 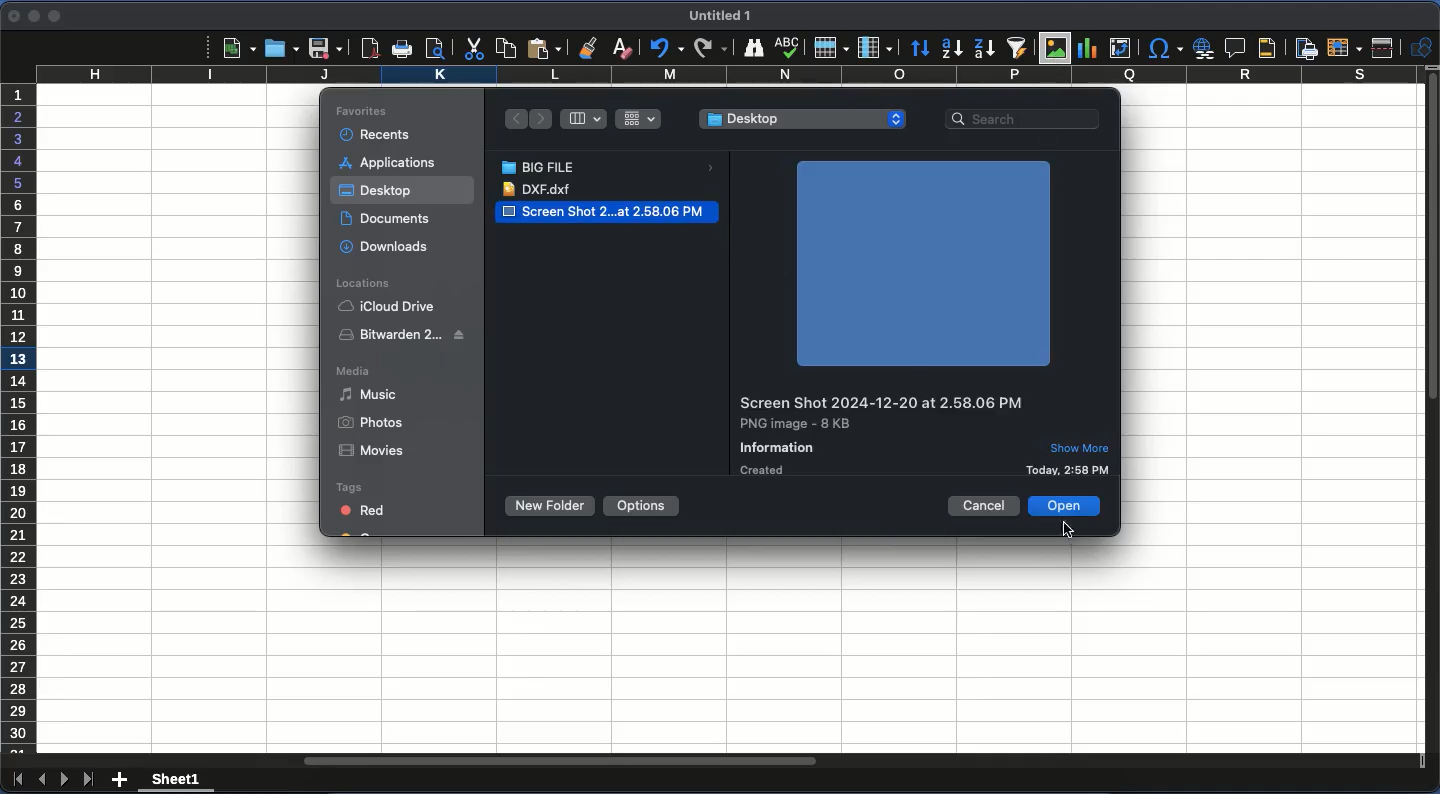 What do you see at coordinates (1236, 48) in the screenshot?
I see `comment` at bounding box center [1236, 48].